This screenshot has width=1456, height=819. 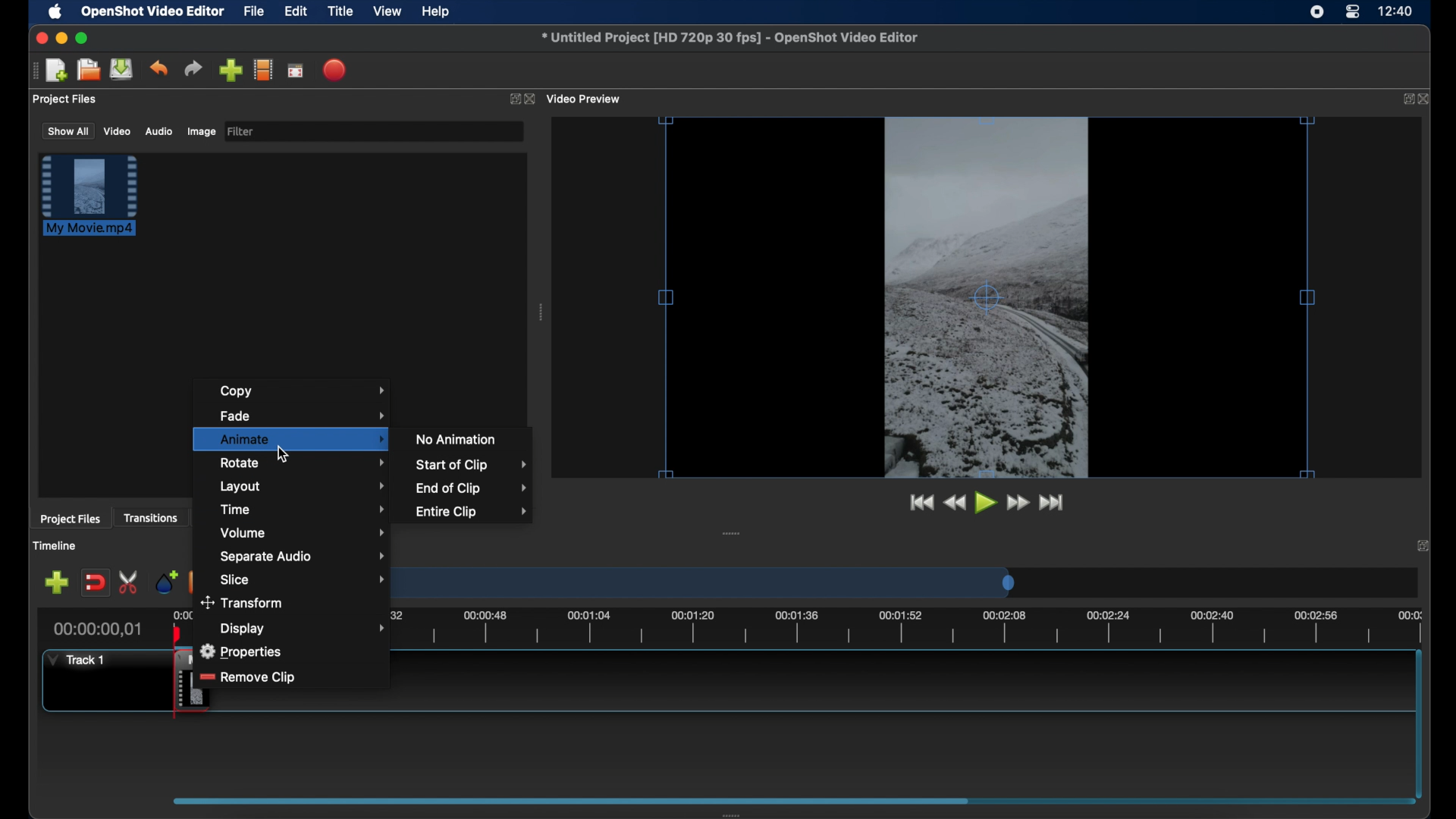 I want to click on close, so click(x=39, y=38).